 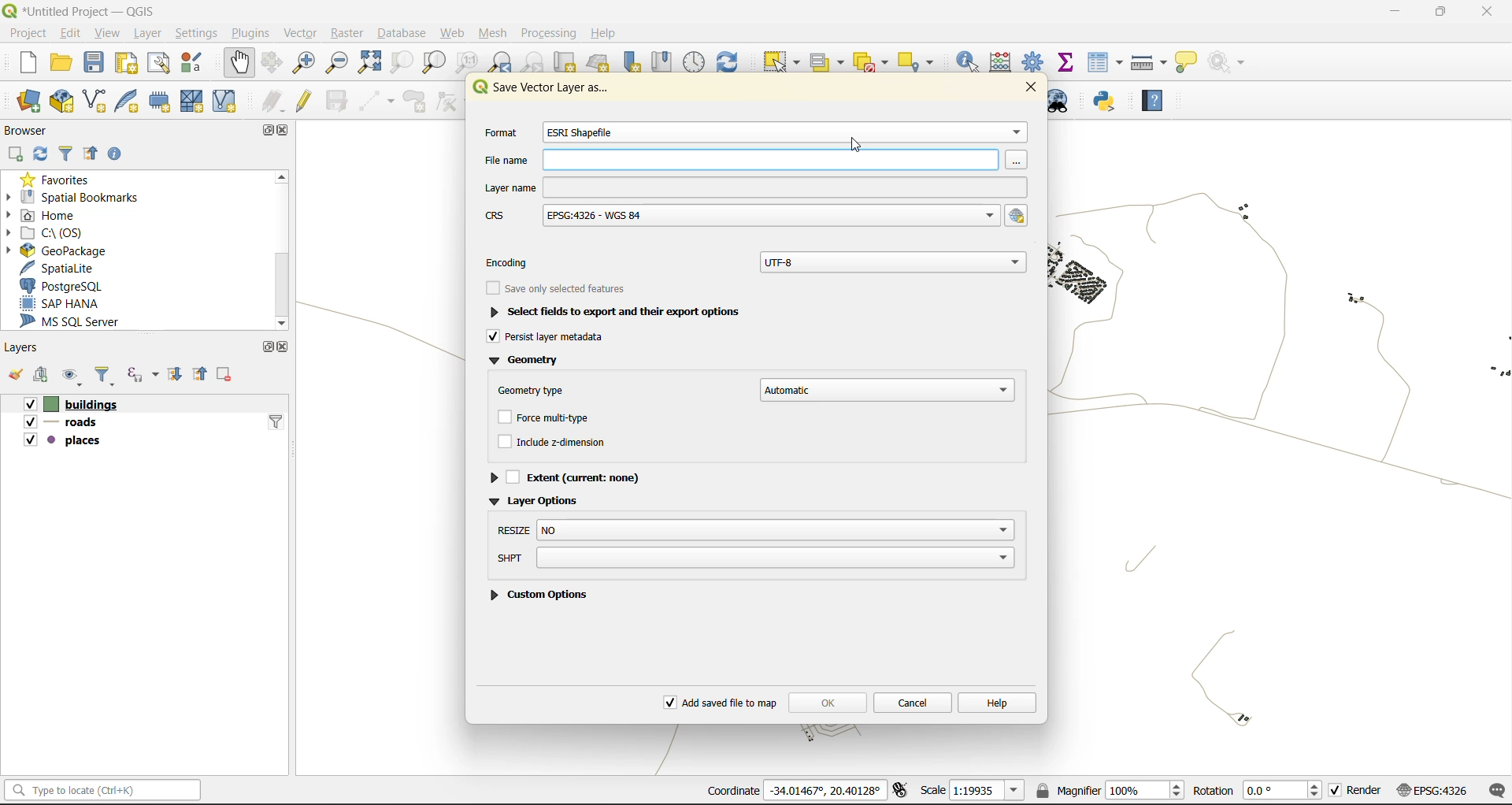 What do you see at coordinates (751, 133) in the screenshot?
I see `format` at bounding box center [751, 133].